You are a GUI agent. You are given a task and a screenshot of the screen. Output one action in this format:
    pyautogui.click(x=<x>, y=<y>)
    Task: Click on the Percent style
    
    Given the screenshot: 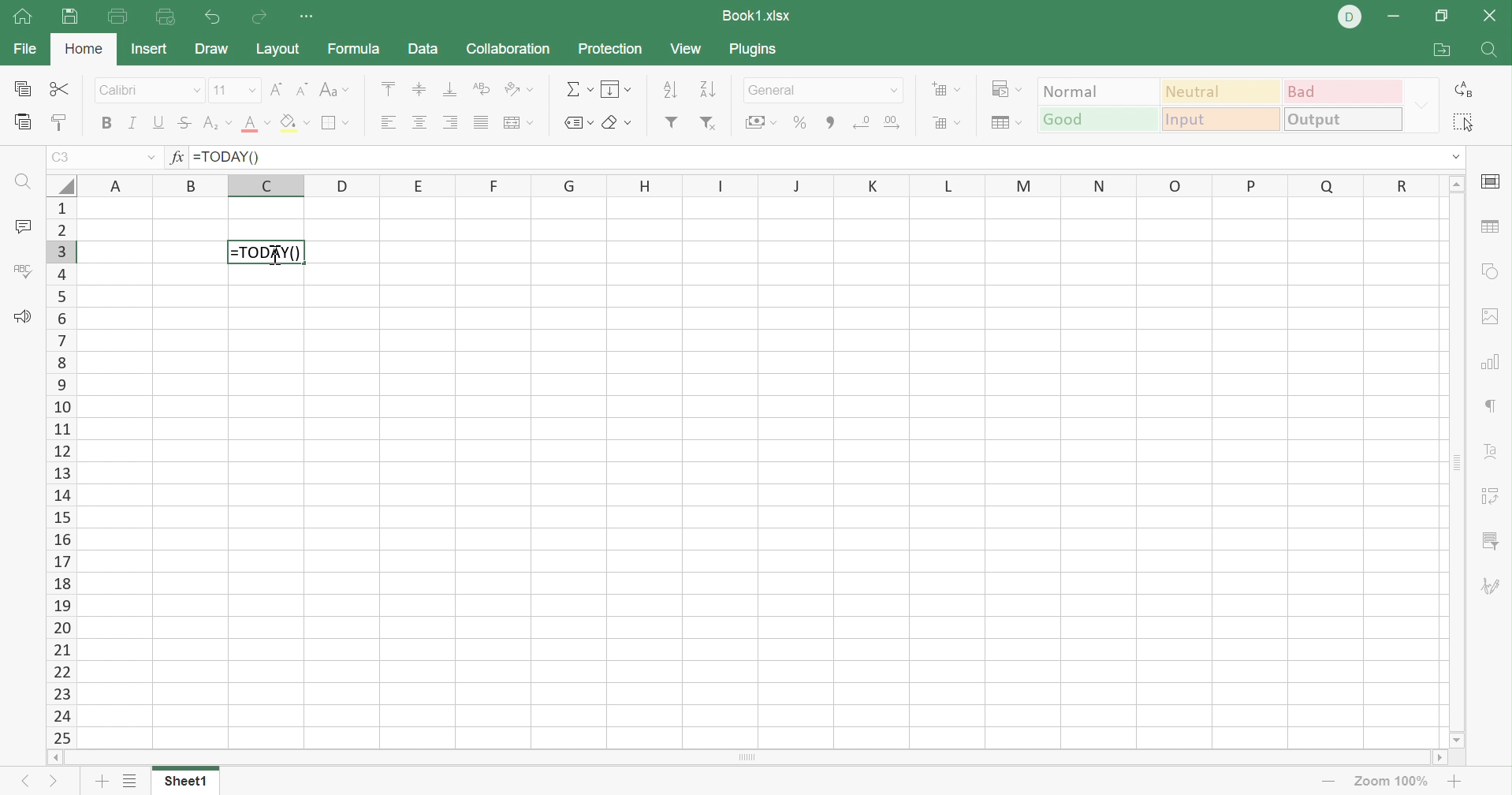 What is the action you would take?
    pyautogui.click(x=798, y=123)
    